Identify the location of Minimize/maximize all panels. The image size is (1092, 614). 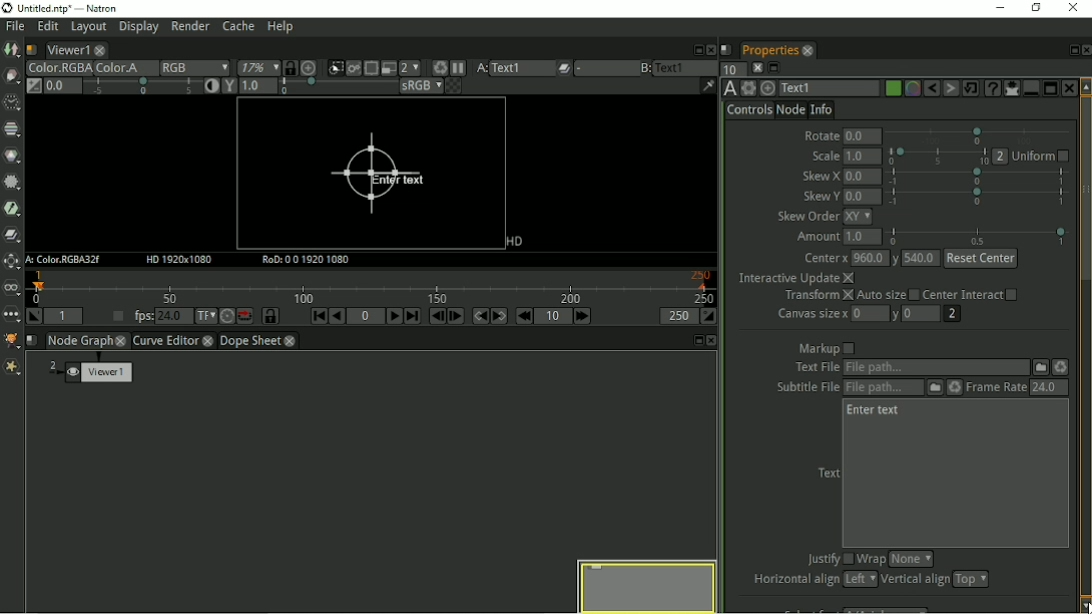
(776, 68).